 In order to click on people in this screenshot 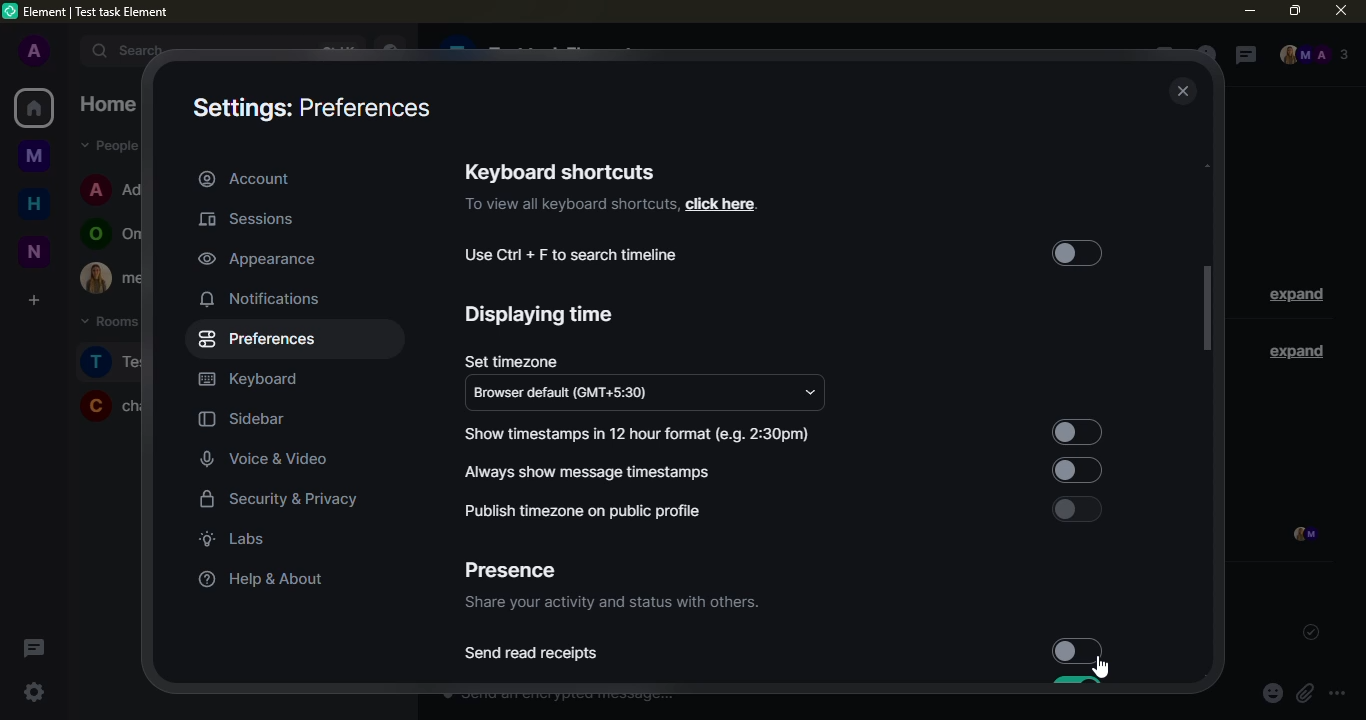, I will do `click(1313, 56)`.